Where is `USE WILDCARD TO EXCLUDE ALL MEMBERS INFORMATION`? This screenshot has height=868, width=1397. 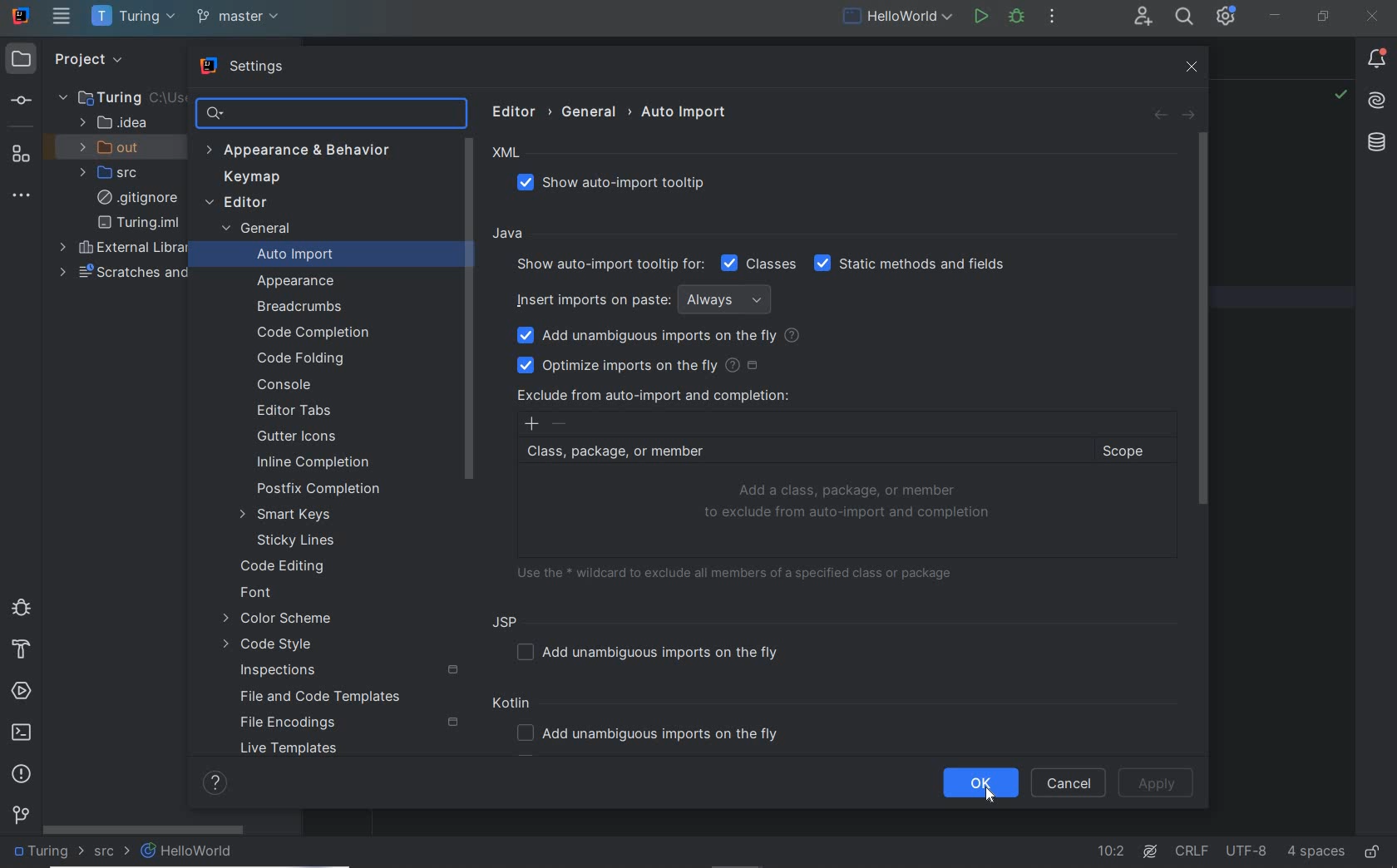
USE WILDCARD TO EXCLUDE ALL MEMBERS INFORMATION is located at coordinates (741, 571).